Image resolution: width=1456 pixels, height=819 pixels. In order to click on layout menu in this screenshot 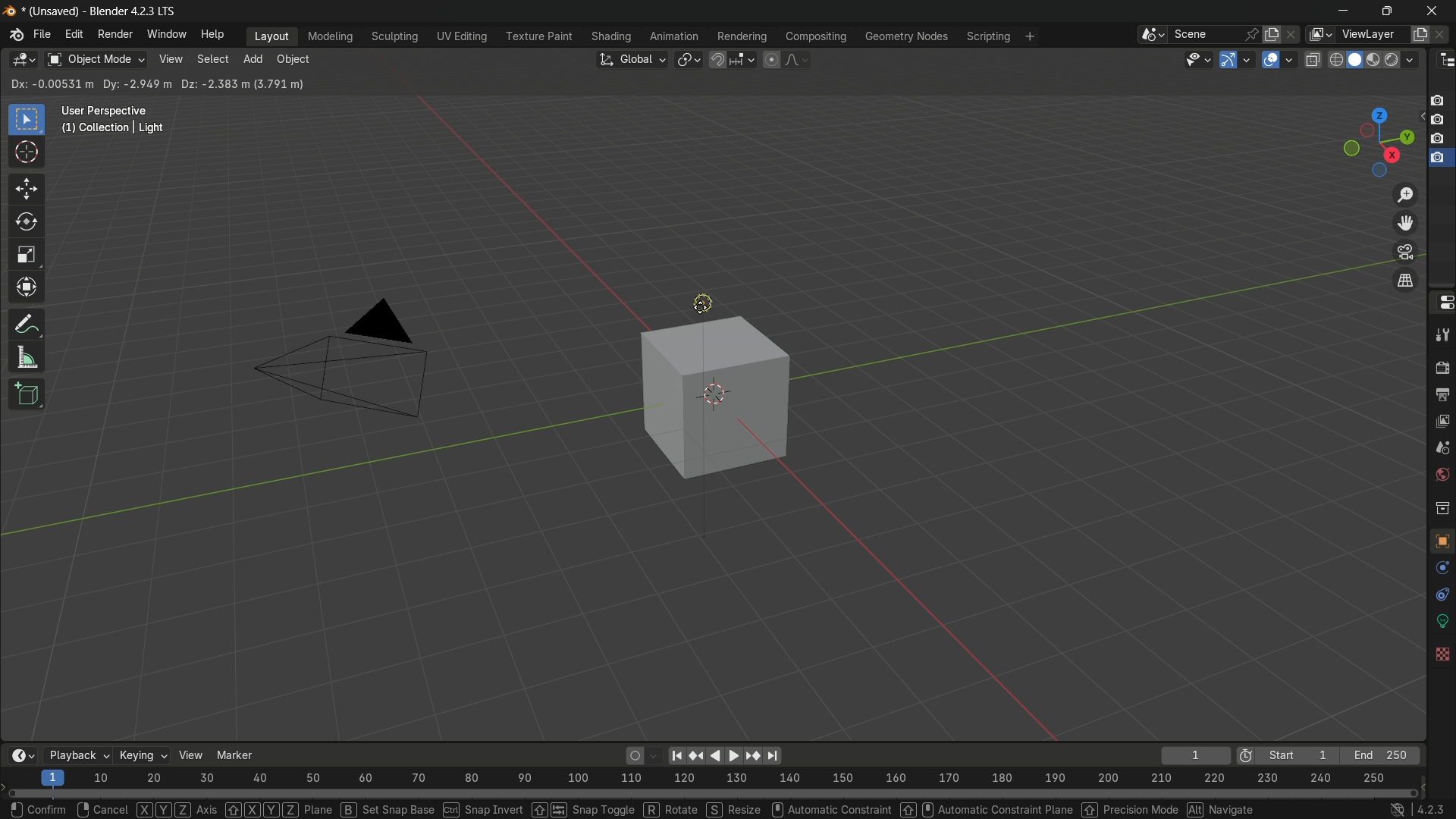, I will do `click(269, 36)`.